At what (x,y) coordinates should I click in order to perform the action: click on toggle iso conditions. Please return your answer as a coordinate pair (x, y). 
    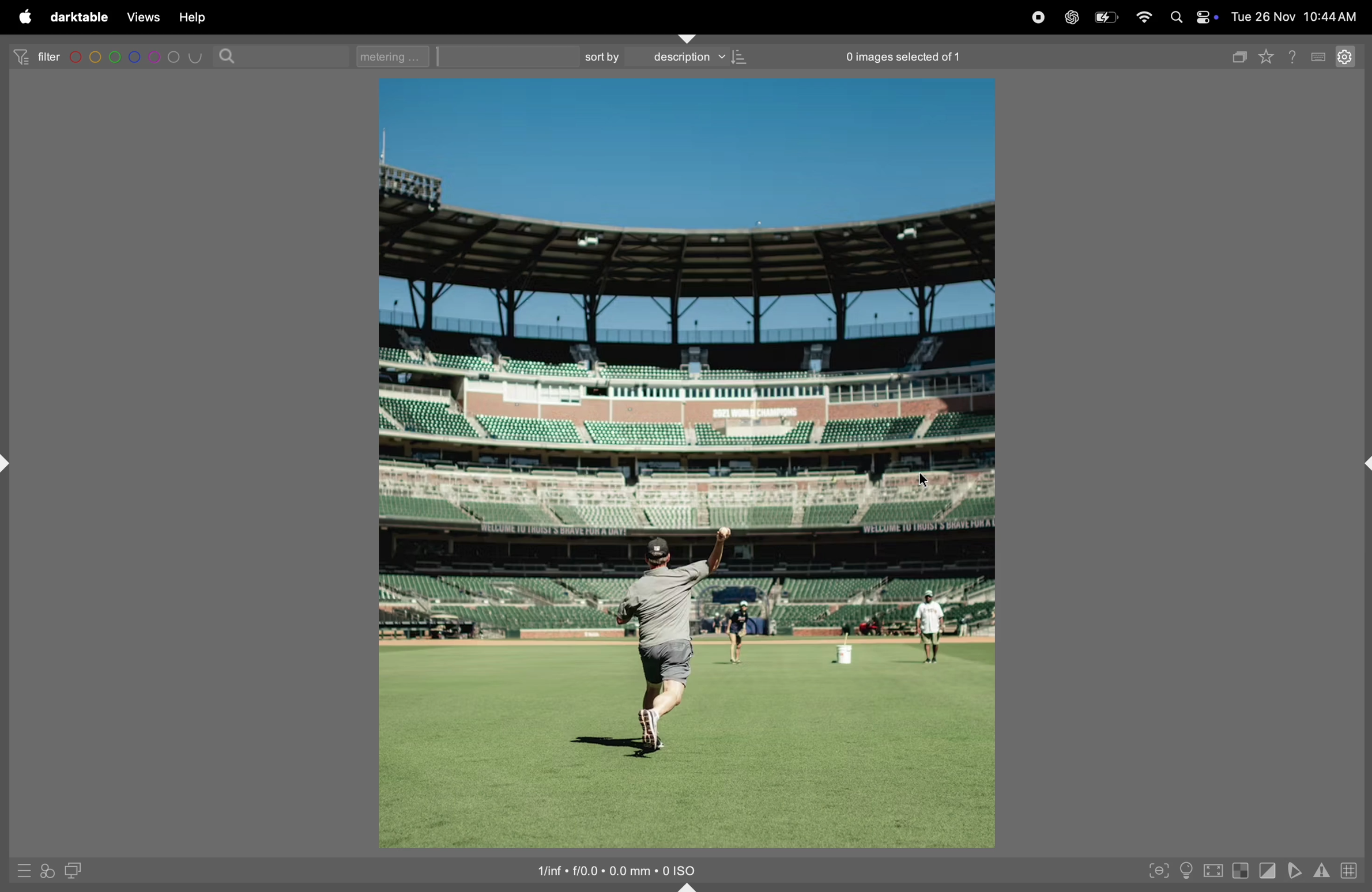
    Looking at the image, I should click on (1187, 869).